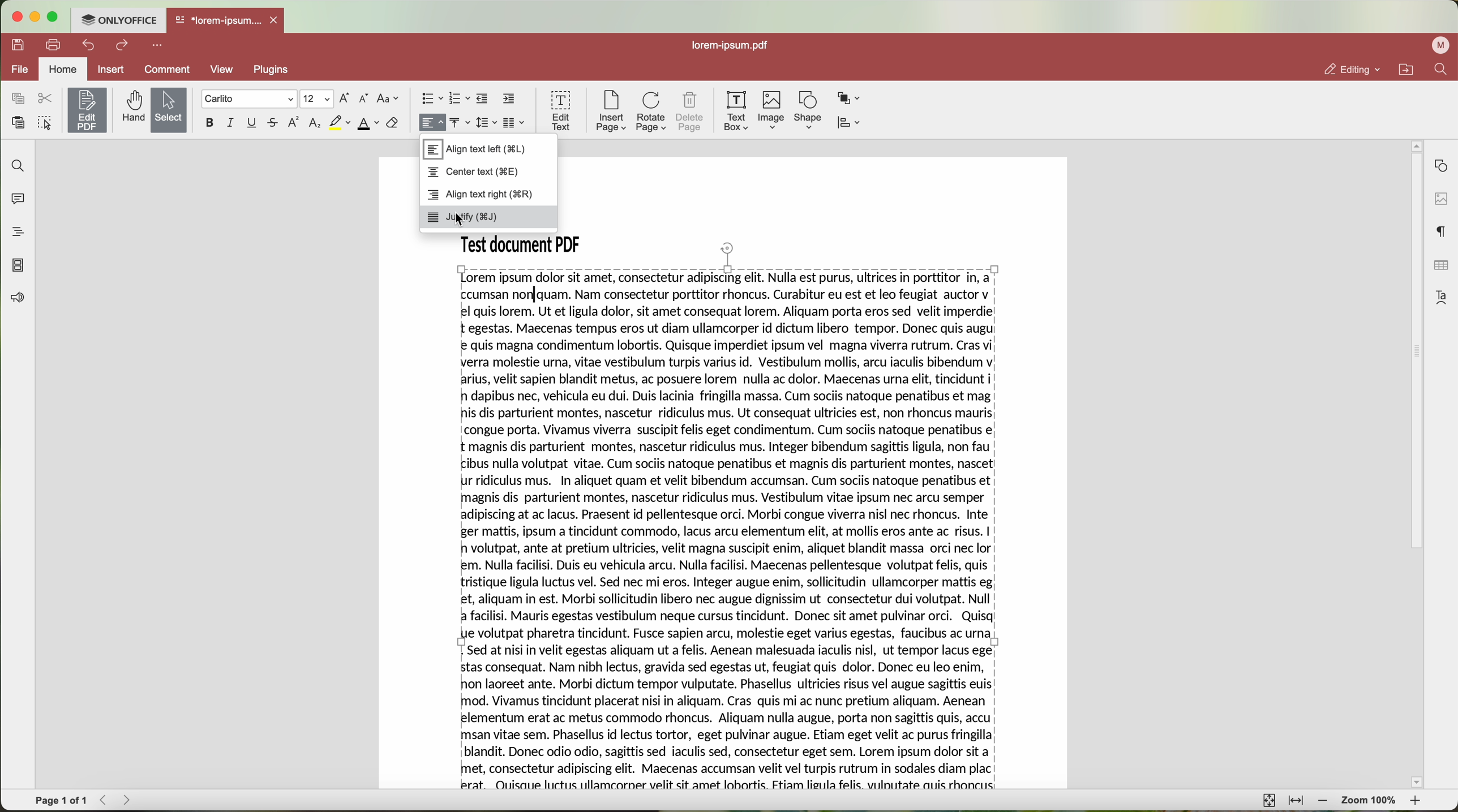 The height and width of the screenshot is (812, 1458). Describe the element at coordinates (848, 97) in the screenshot. I see `arrange shape` at that location.